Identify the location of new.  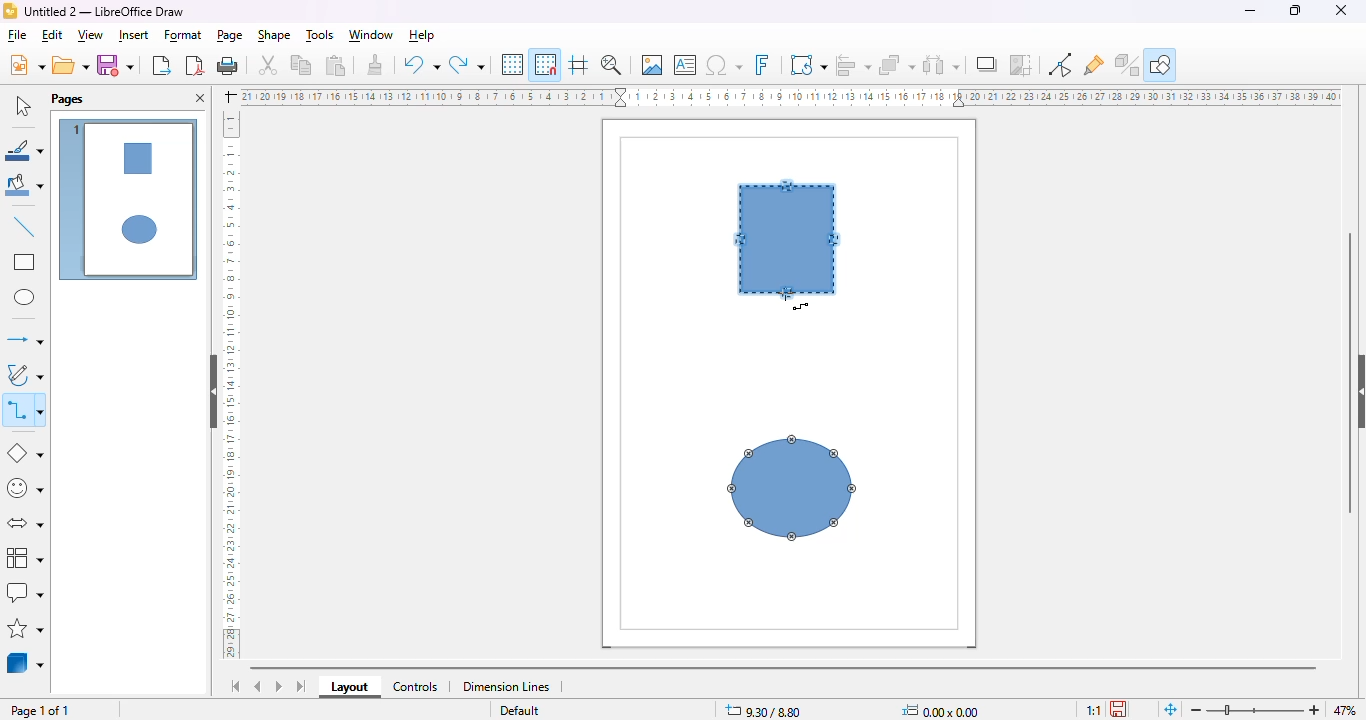
(27, 64).